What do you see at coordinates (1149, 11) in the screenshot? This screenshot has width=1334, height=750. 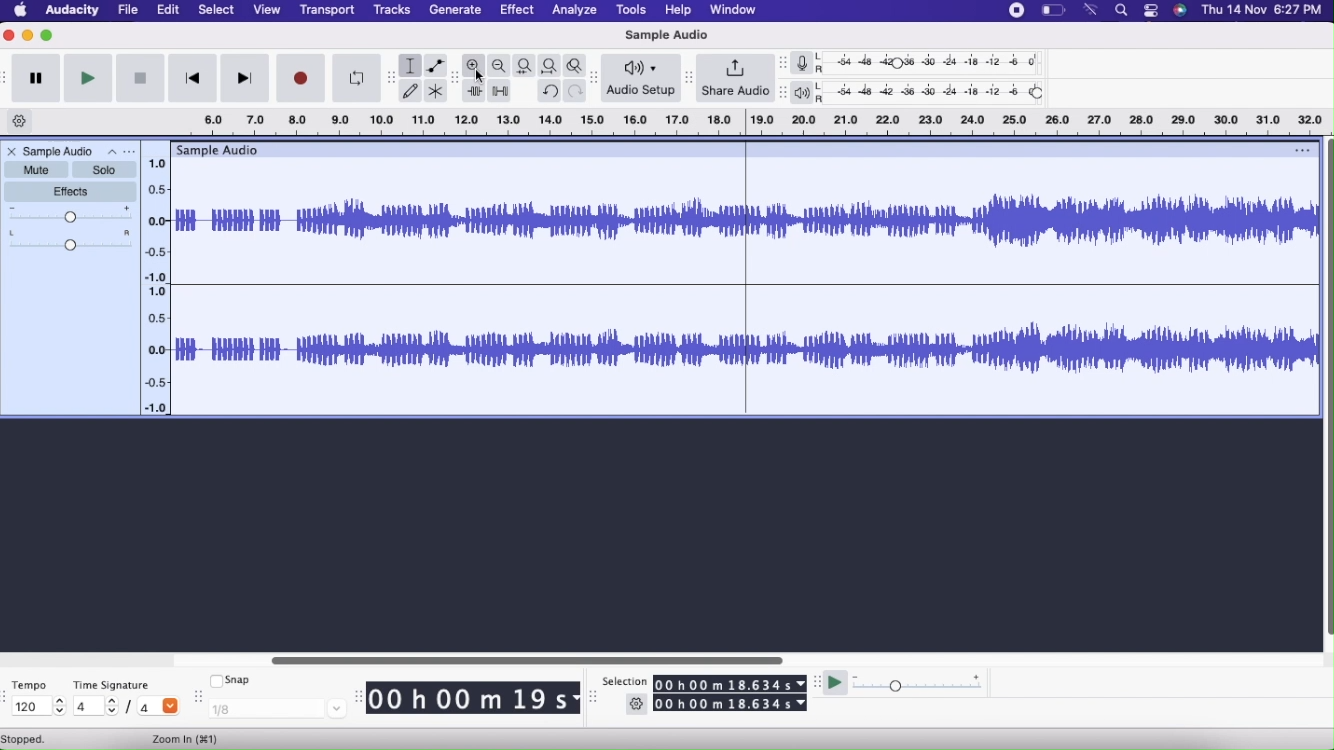 I see `More options` at bounding box center [1149, 11].